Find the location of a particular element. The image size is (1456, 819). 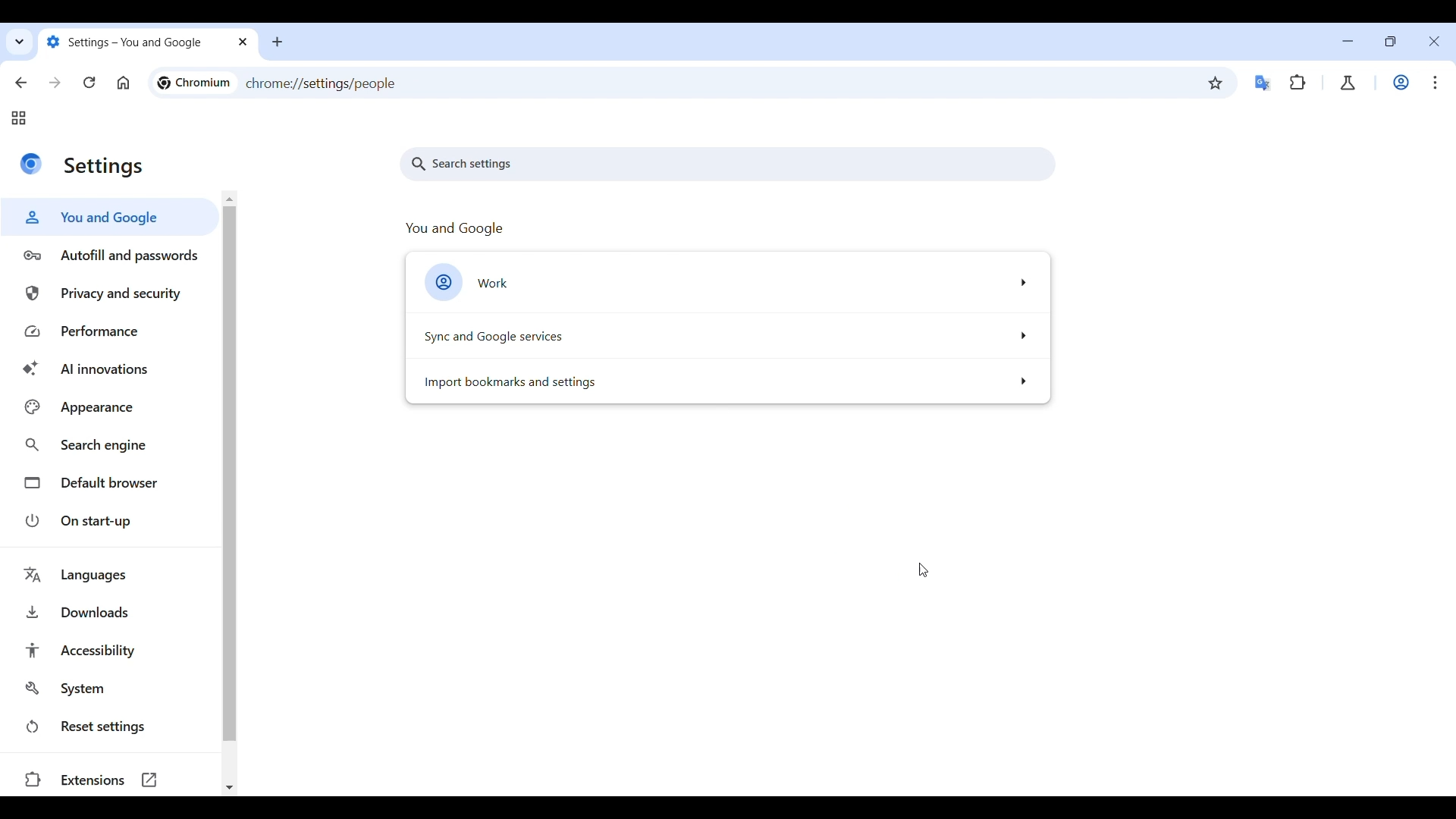

Vertical slide bar is located at coordinates (229, 474).